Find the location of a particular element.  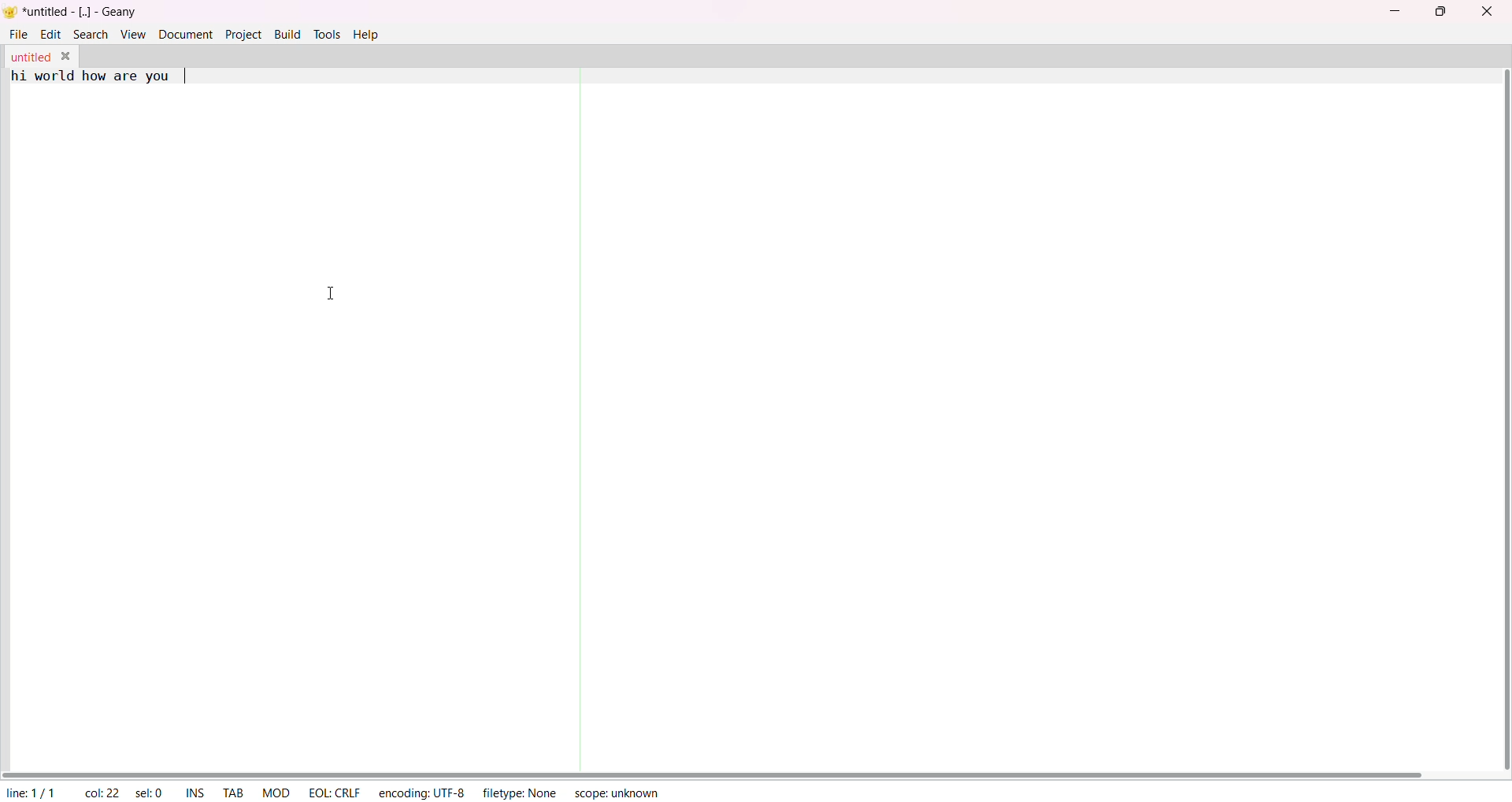

close is located at coordinates (1488, 13).